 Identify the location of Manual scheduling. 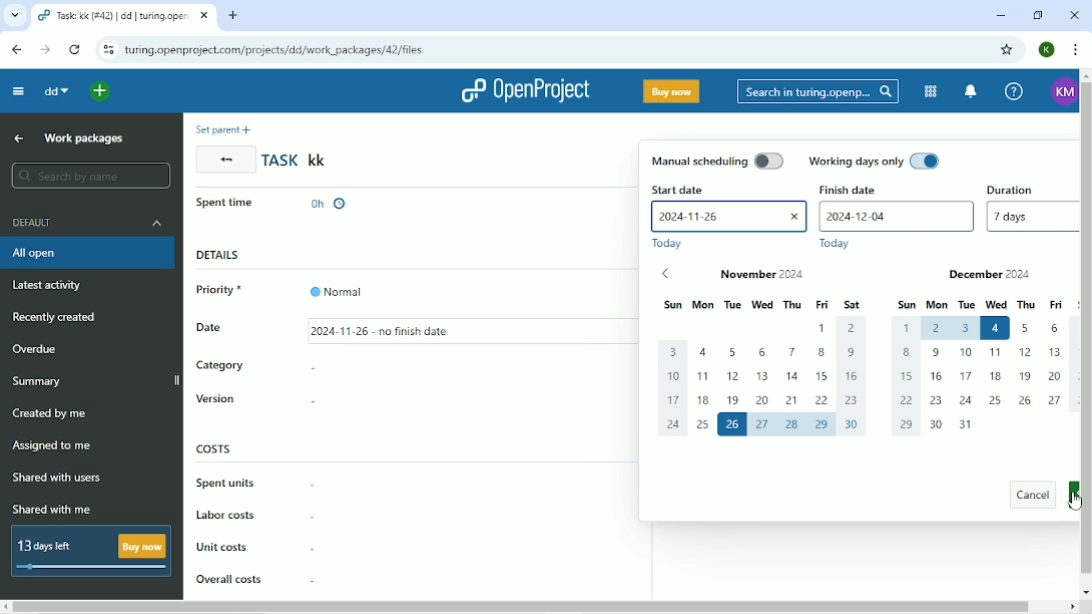
(717, 160).